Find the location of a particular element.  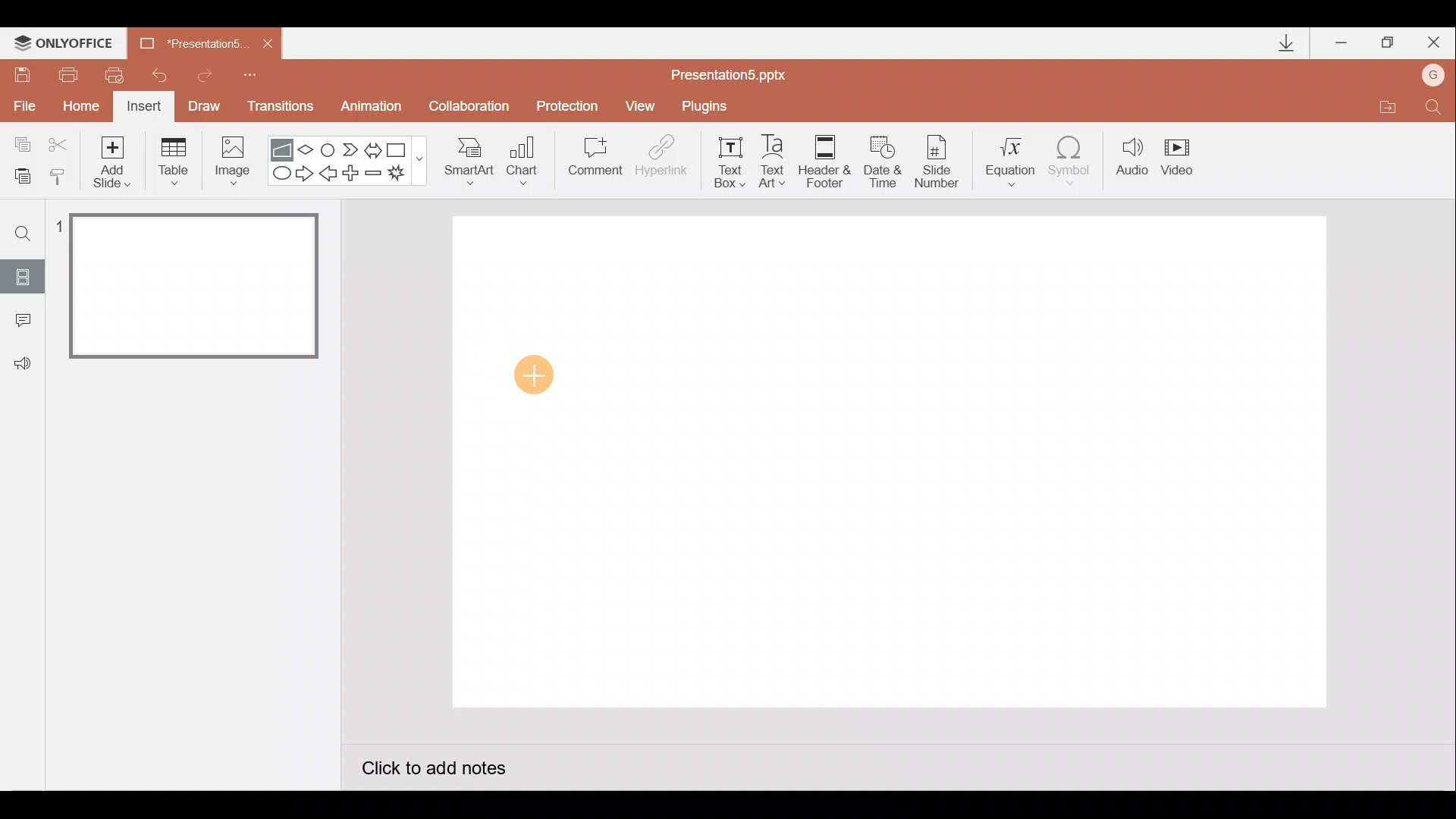

Paste is located at coordinates (18, 174).